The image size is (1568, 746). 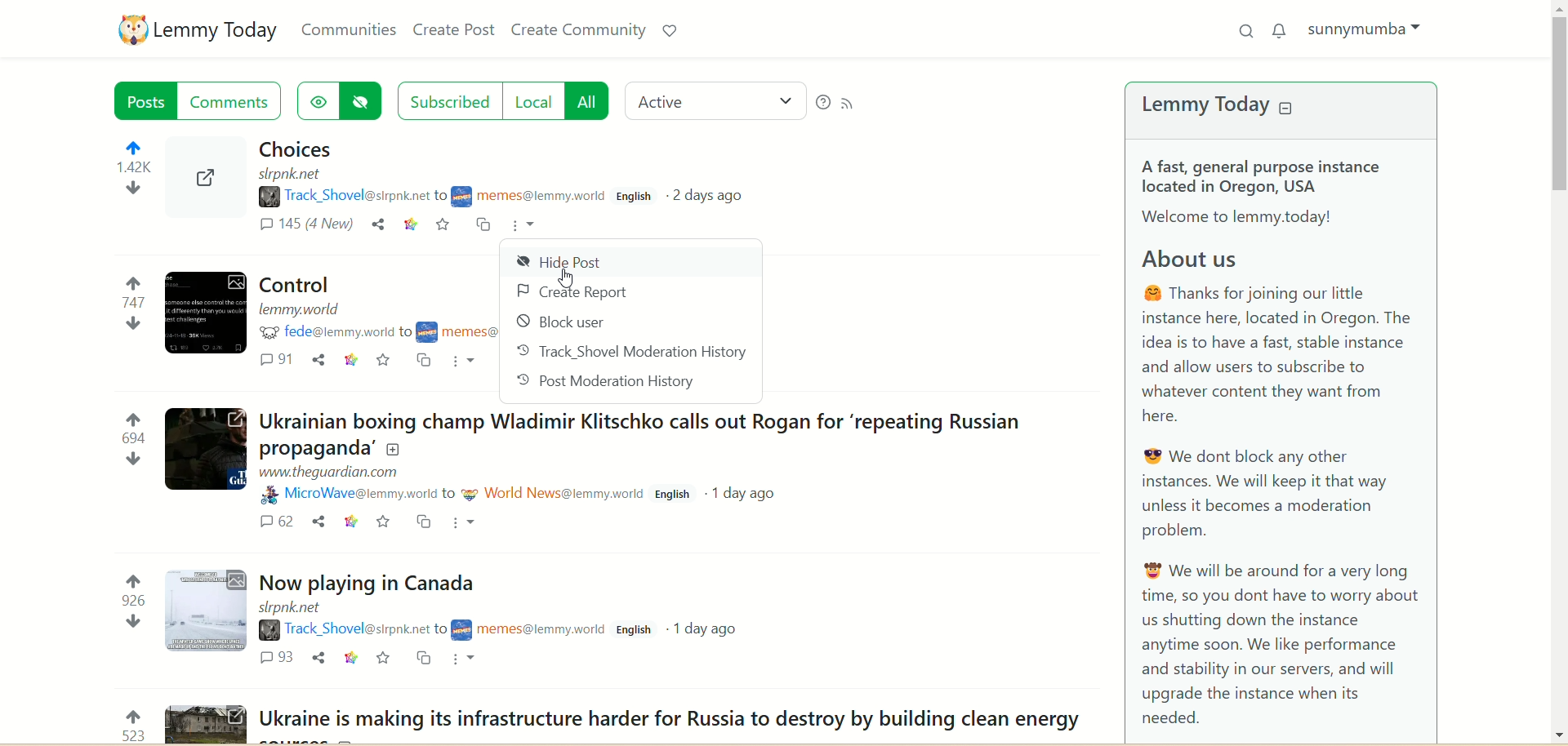 I want to click on comments, so click(x=274, y=522).